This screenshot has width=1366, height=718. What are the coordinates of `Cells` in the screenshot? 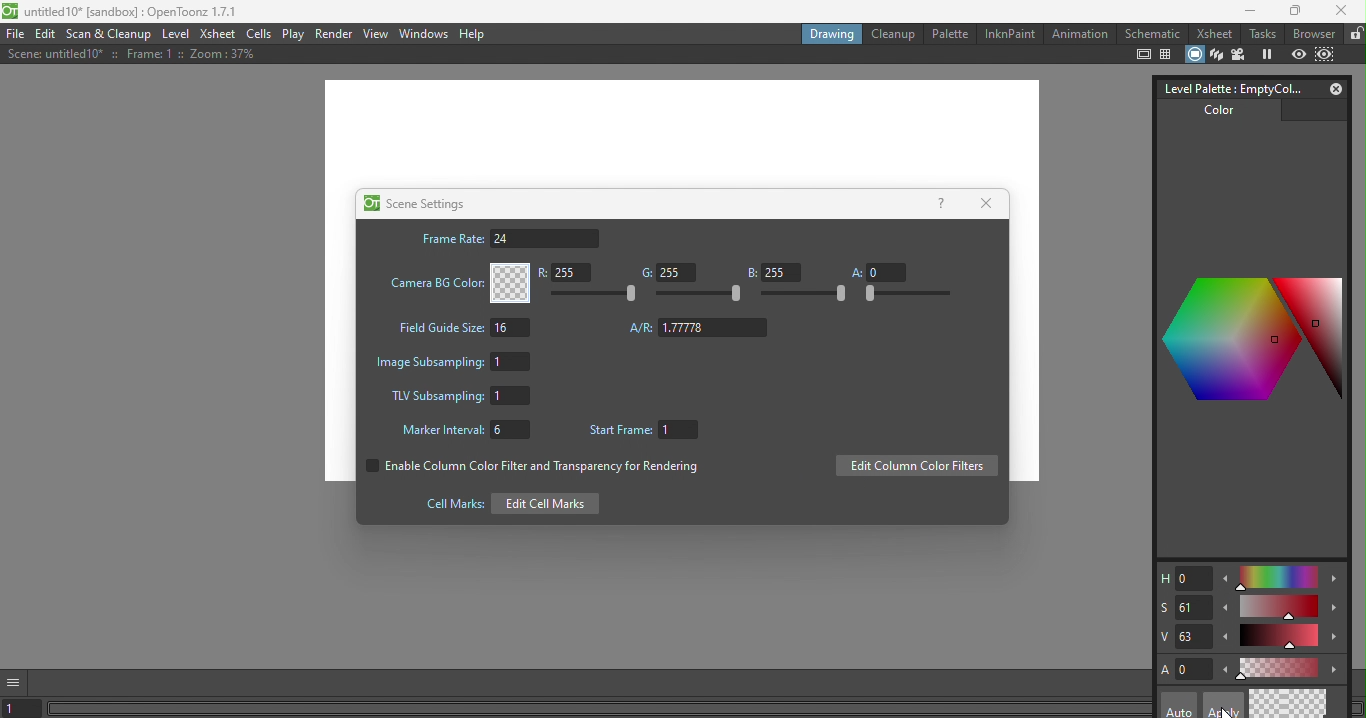 It's located at (260, 34).